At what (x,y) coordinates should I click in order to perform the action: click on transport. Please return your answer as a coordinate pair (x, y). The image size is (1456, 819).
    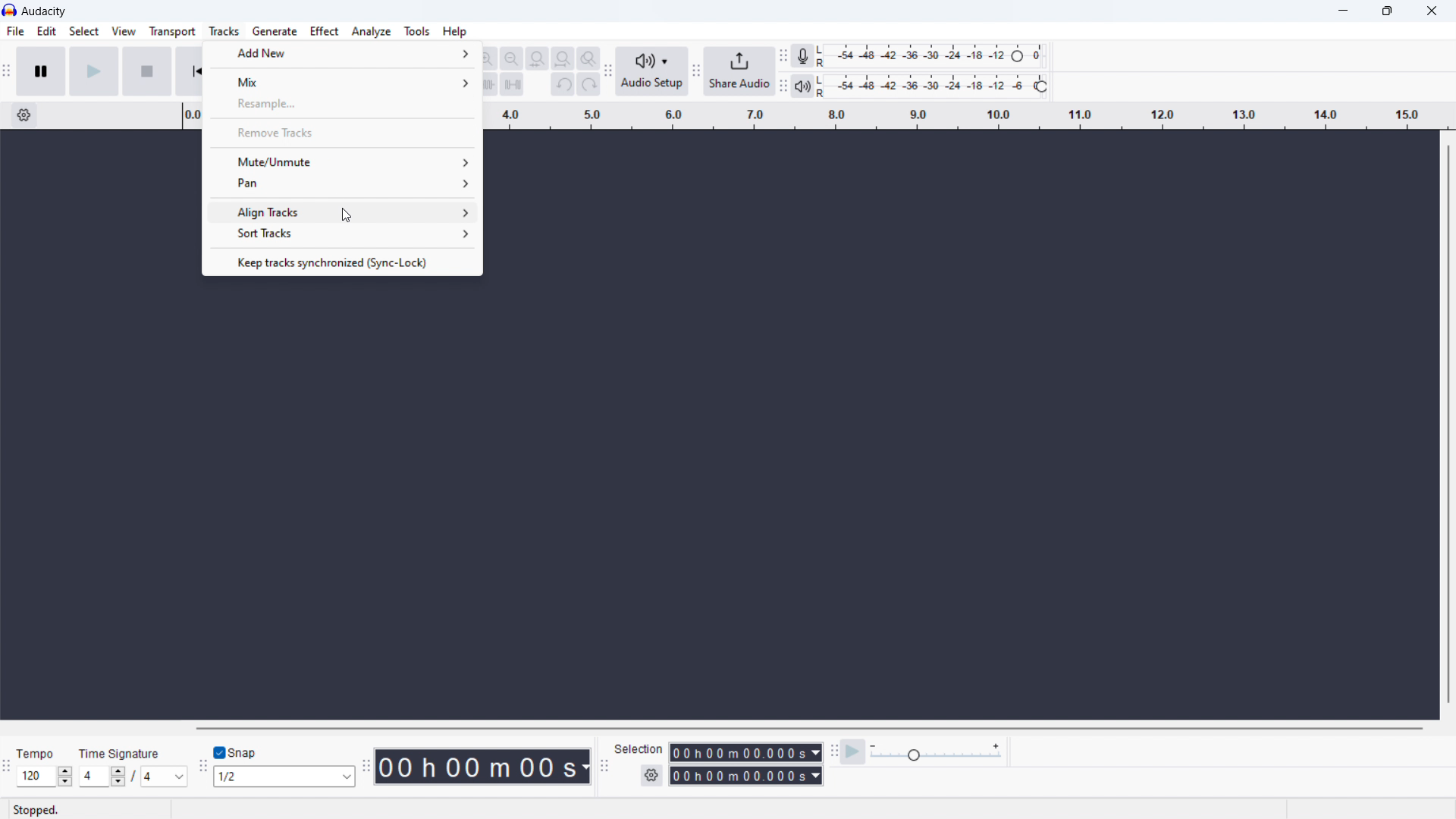
    Looking at the image, I should click on (173, 32).